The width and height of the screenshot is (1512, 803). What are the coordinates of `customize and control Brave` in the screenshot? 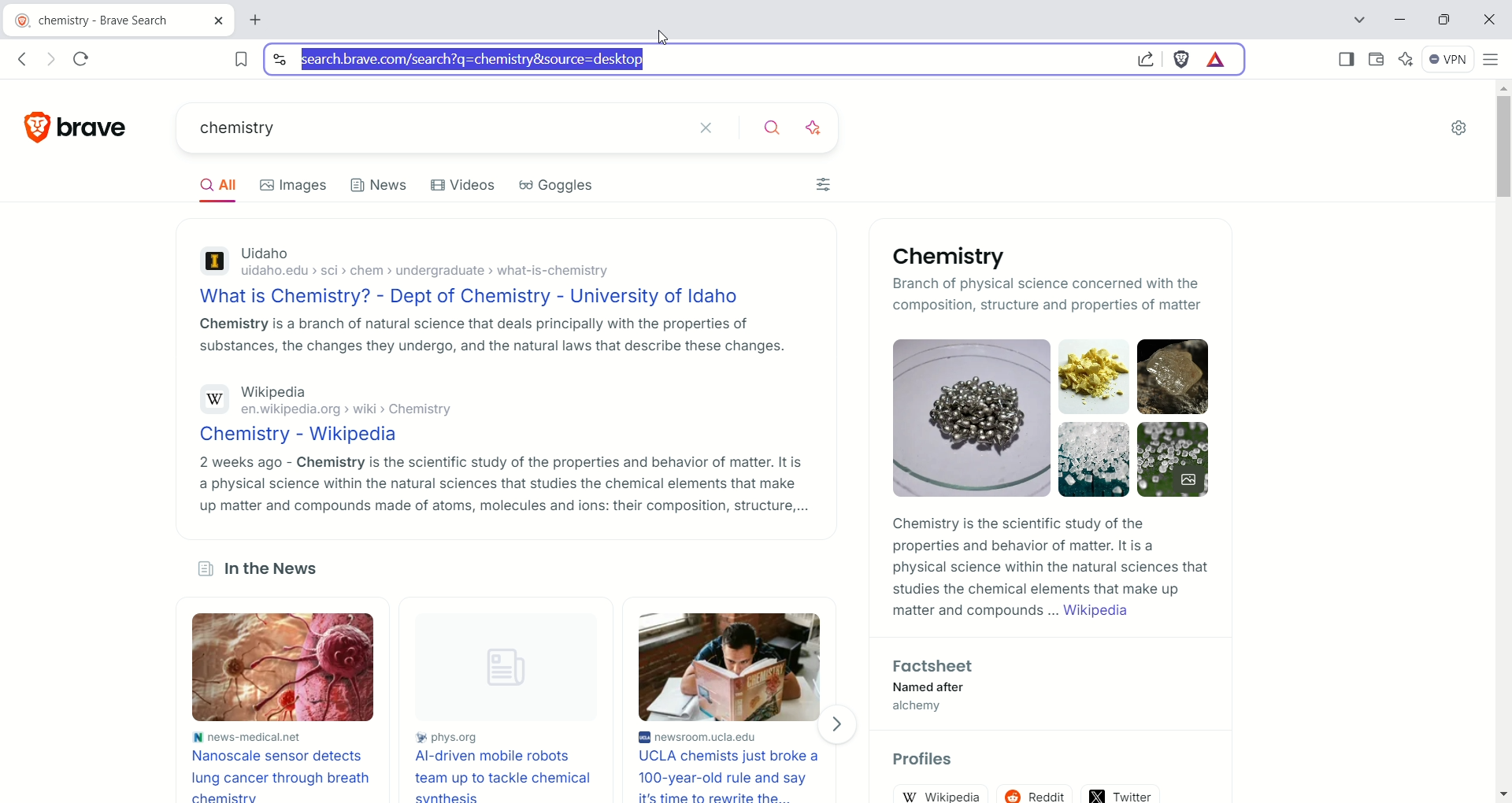 It's located at (1494, 61).